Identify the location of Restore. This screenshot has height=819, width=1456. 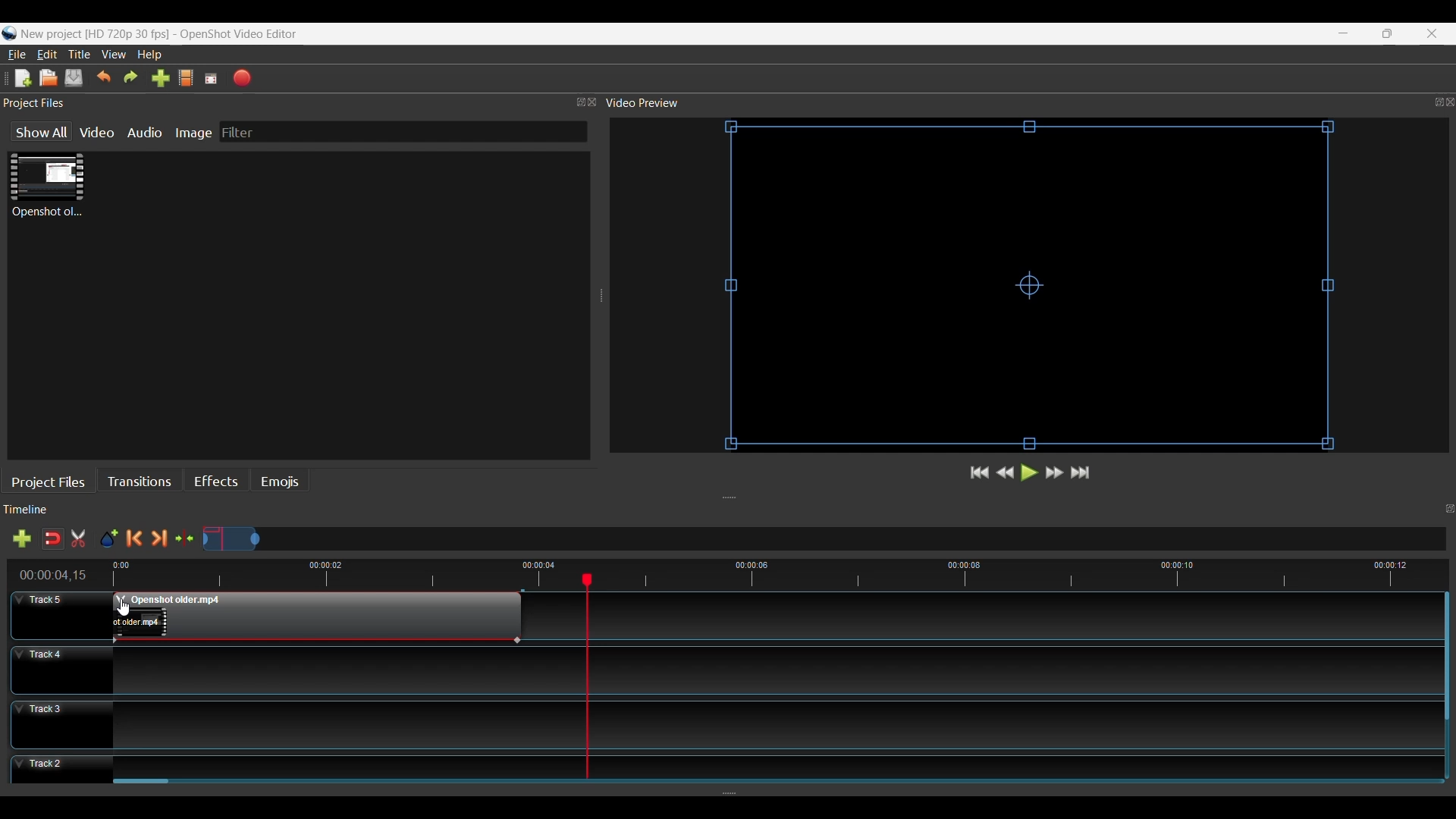
(1385, 33).